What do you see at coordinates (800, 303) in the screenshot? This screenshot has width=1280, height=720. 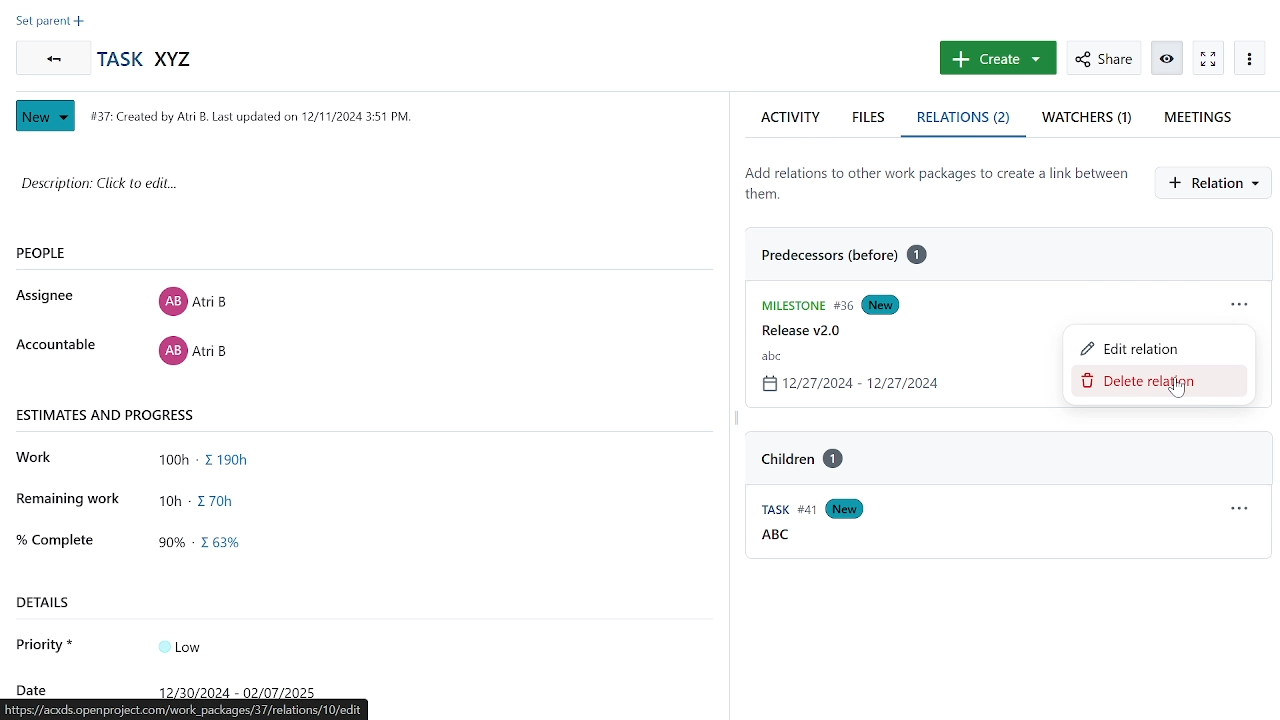 I see `Milestone` at bounding box center [800, 303].